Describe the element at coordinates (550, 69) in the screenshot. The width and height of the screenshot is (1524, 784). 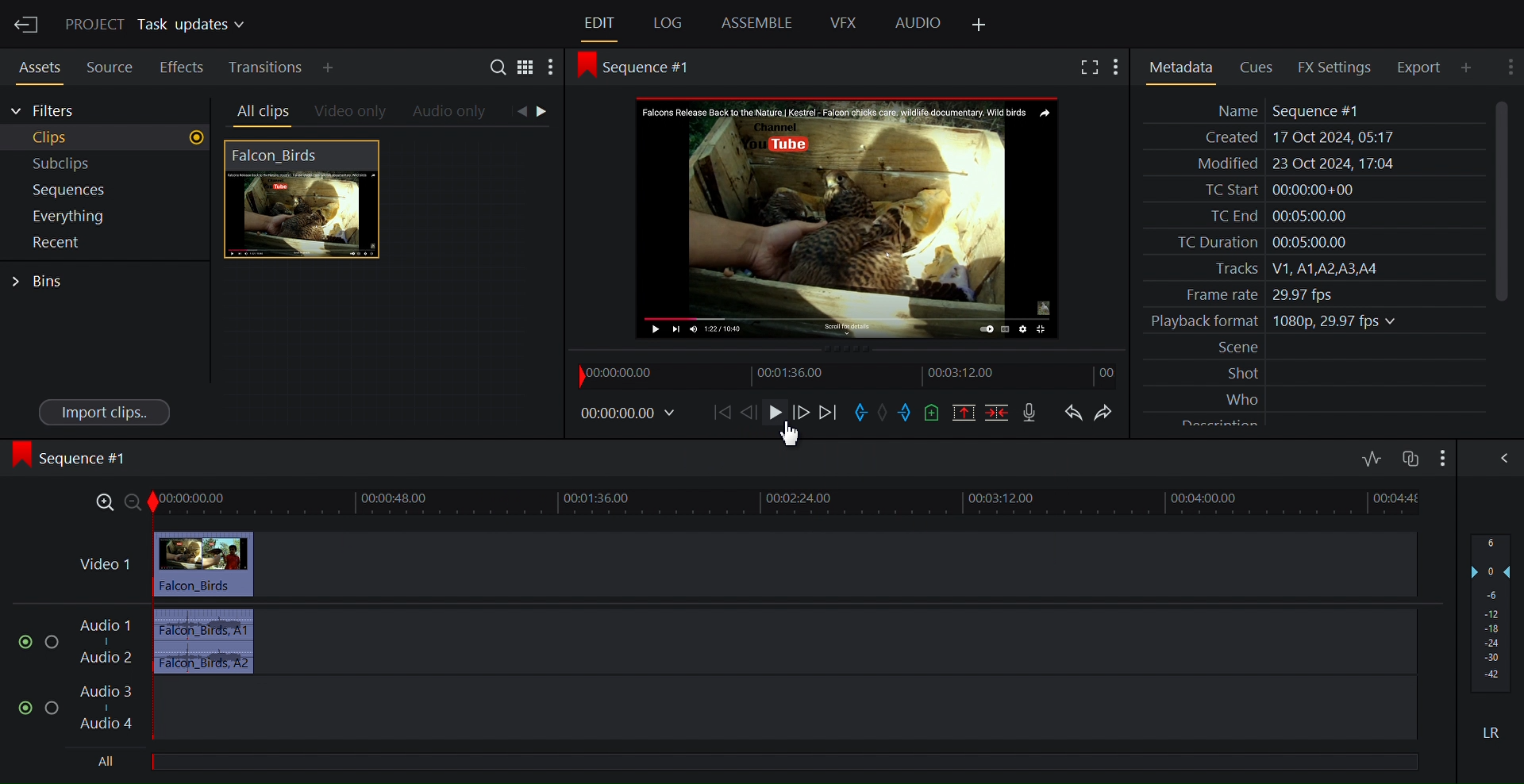
I see `Show settings menu` at that location.